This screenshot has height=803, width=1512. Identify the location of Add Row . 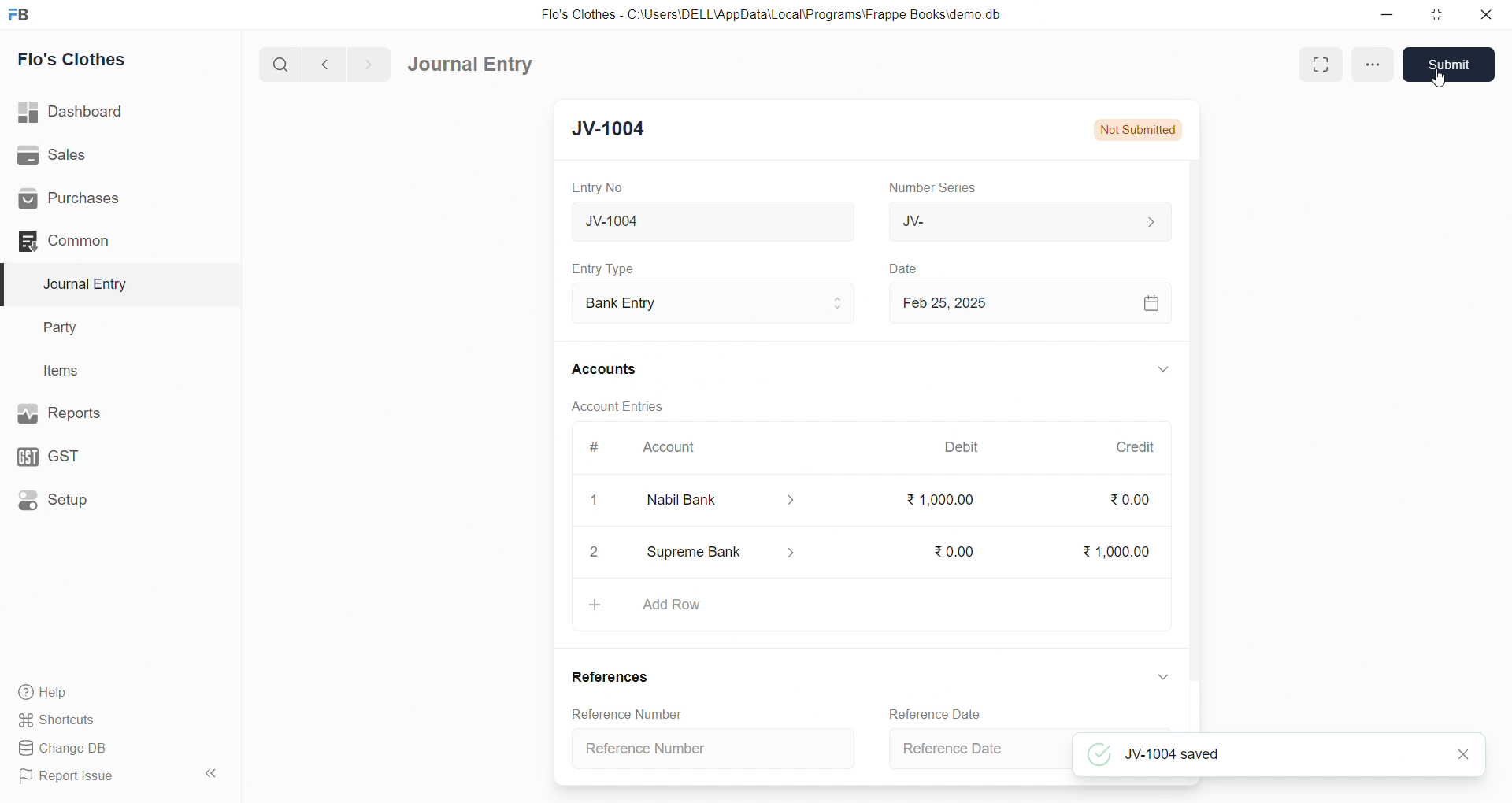
(869, 610).